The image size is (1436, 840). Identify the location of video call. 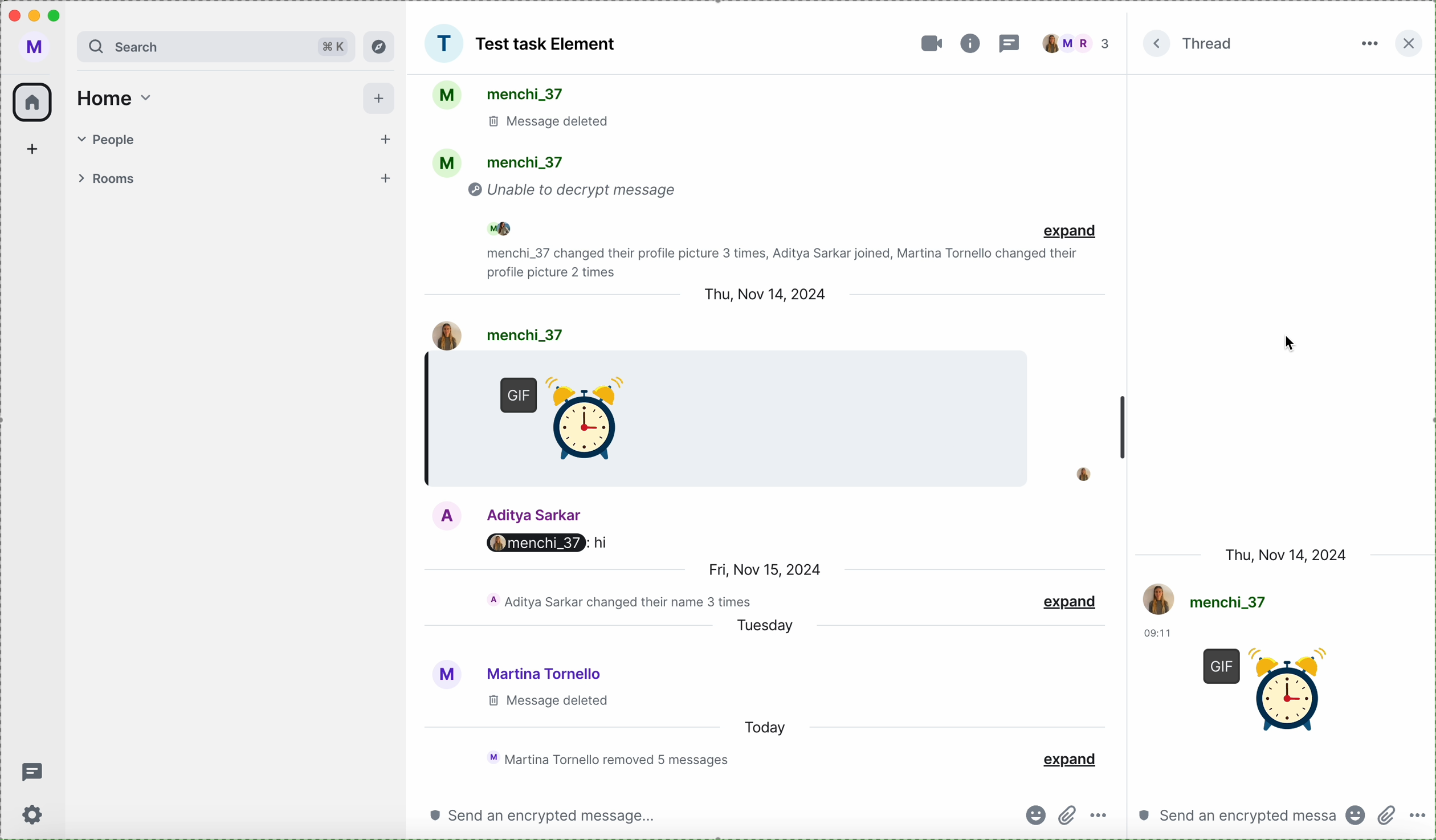
(927, 44).